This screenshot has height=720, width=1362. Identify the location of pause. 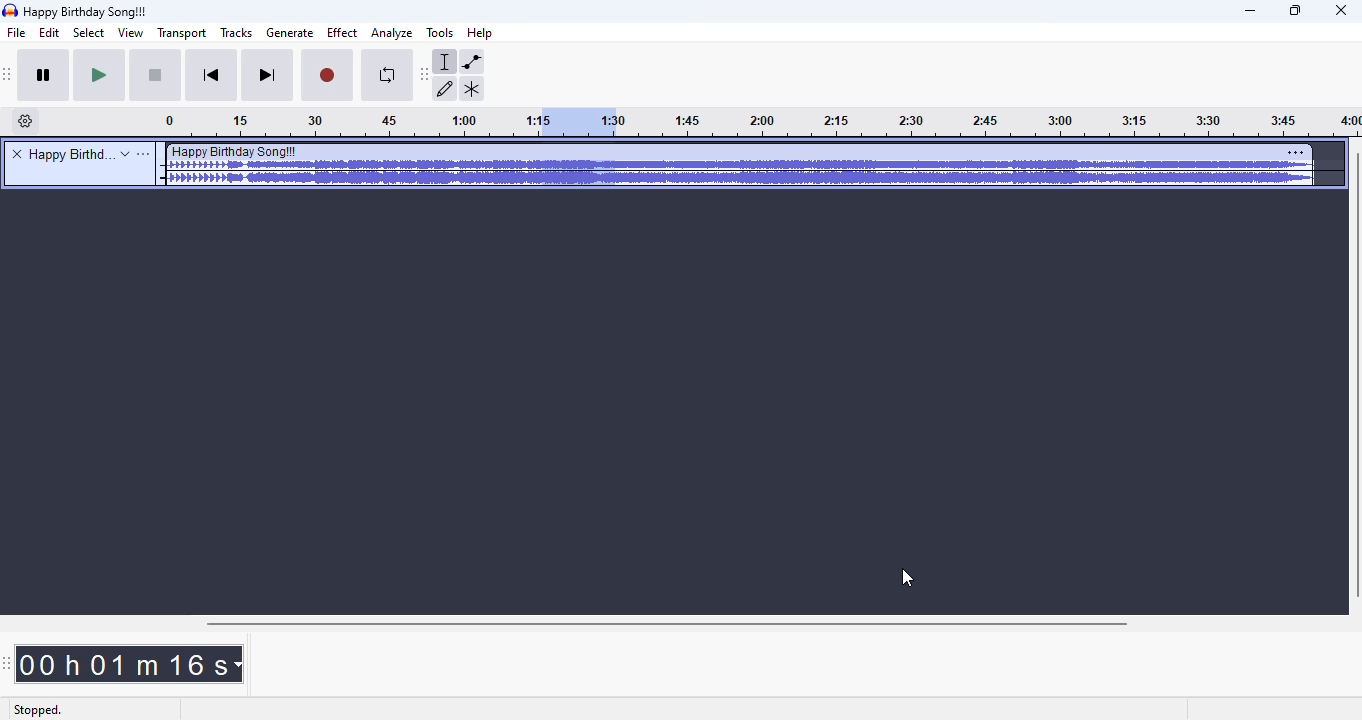
(47, 76).